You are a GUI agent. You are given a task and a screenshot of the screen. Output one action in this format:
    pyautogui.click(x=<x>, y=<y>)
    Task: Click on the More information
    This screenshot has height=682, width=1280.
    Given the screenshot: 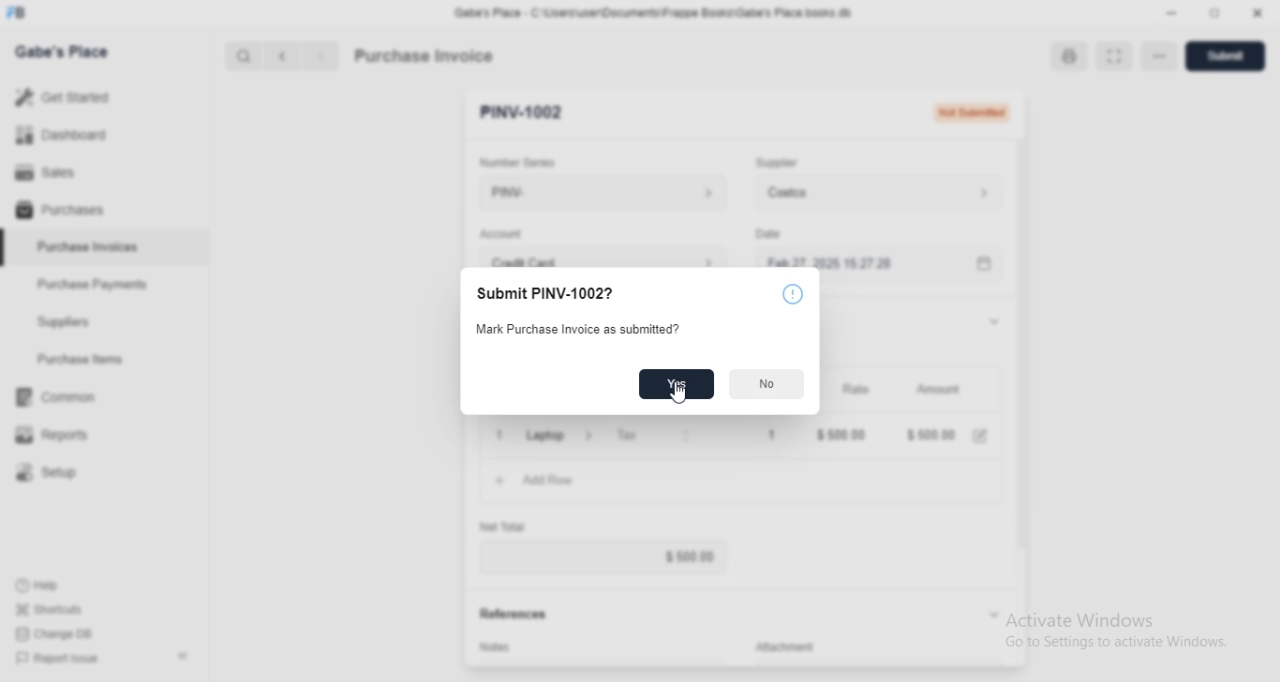 What is the action you would take?
    pyautogui.click(x=793, y=294)
    